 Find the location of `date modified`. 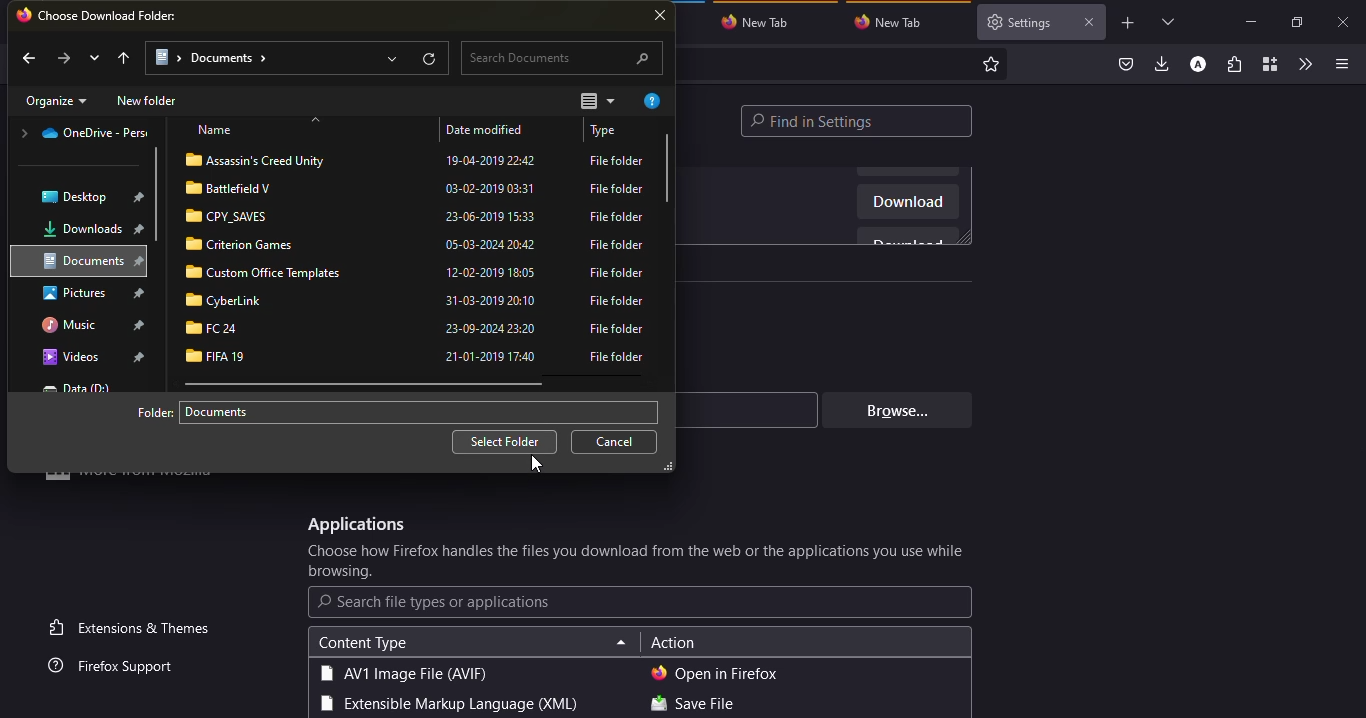

date modified is located at coordinates (491, 272).